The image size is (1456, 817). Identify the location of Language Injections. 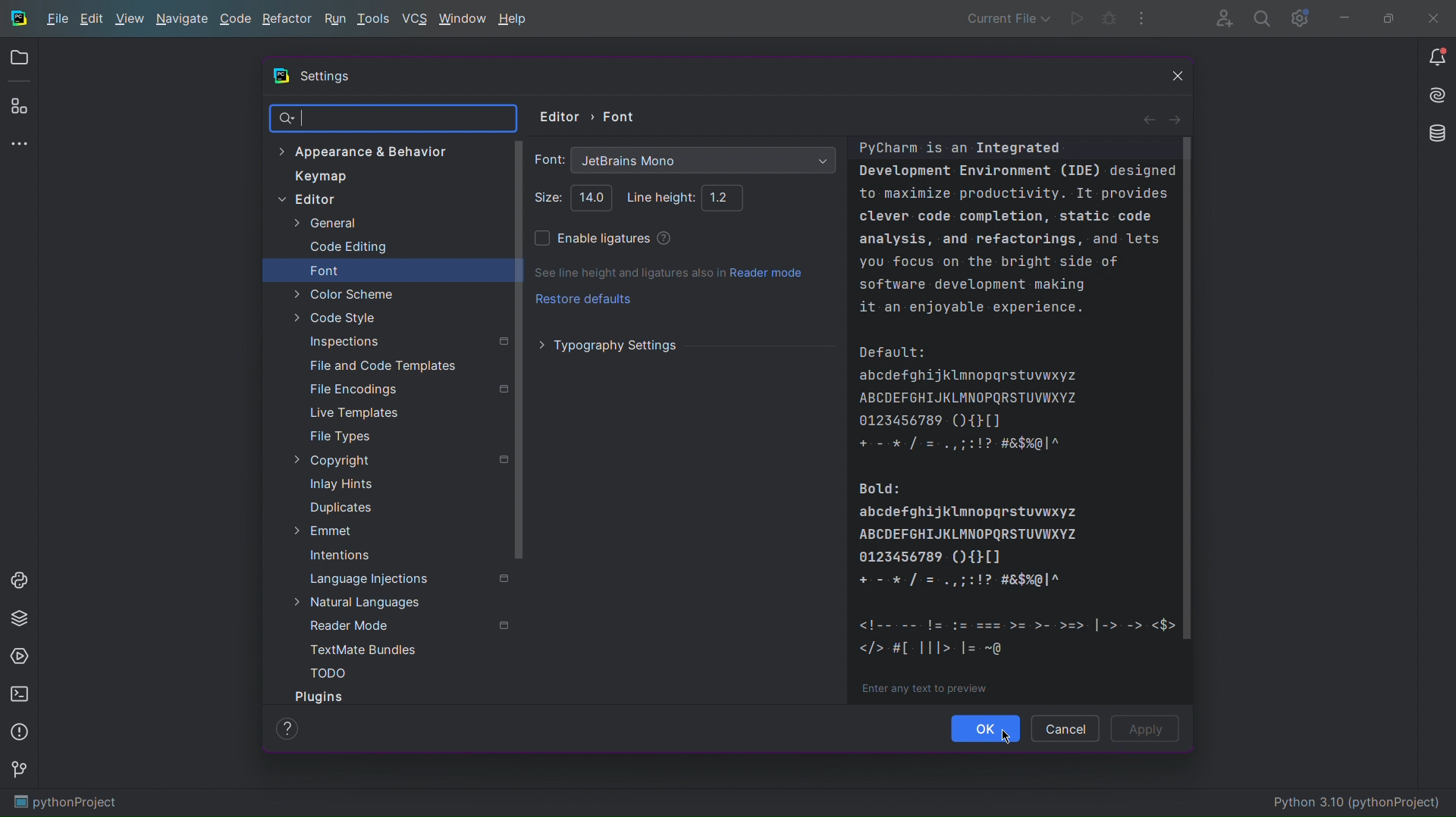
(413, 579).